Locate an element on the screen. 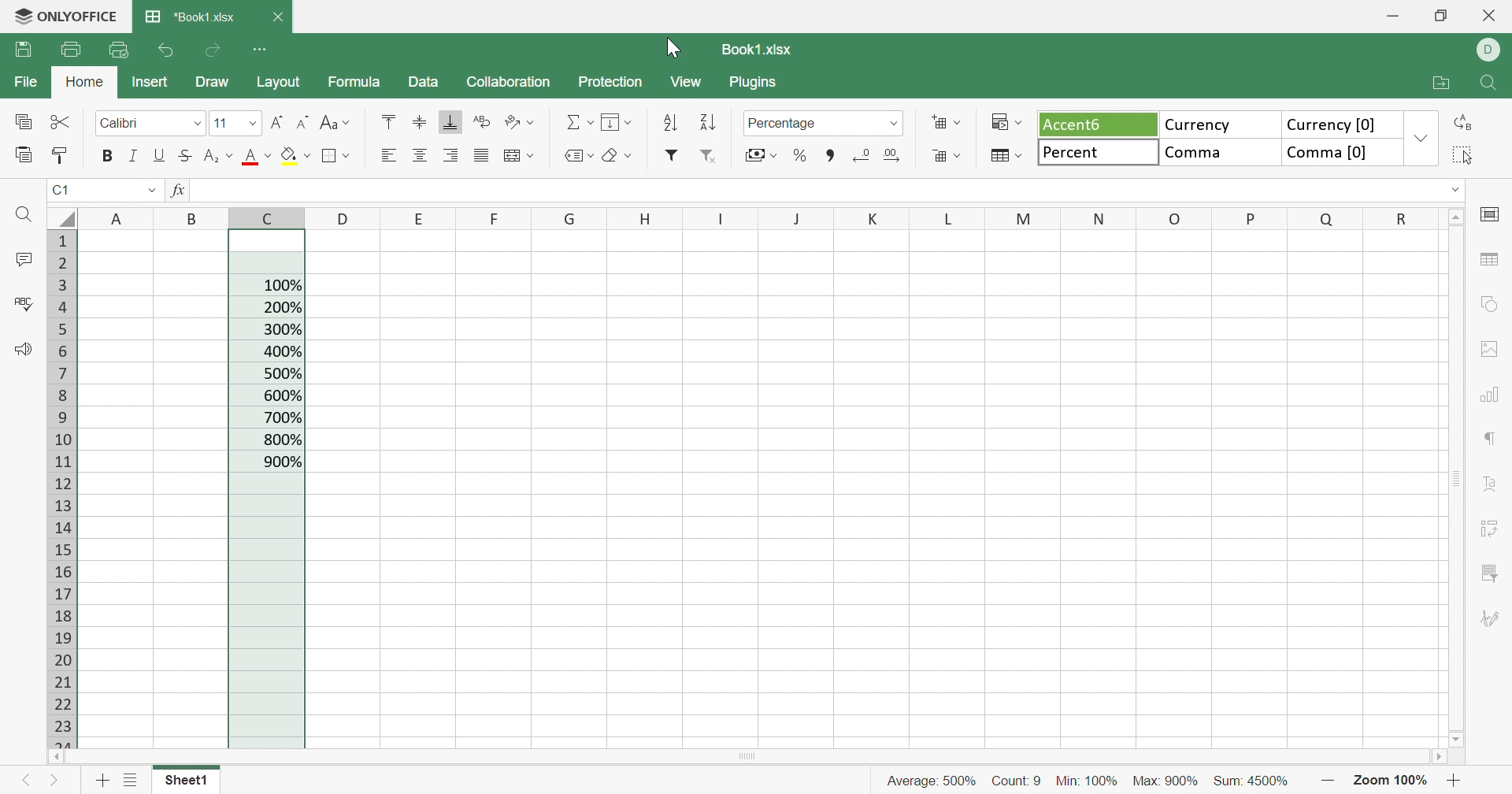  Italic is located at coordinates (135, 157).